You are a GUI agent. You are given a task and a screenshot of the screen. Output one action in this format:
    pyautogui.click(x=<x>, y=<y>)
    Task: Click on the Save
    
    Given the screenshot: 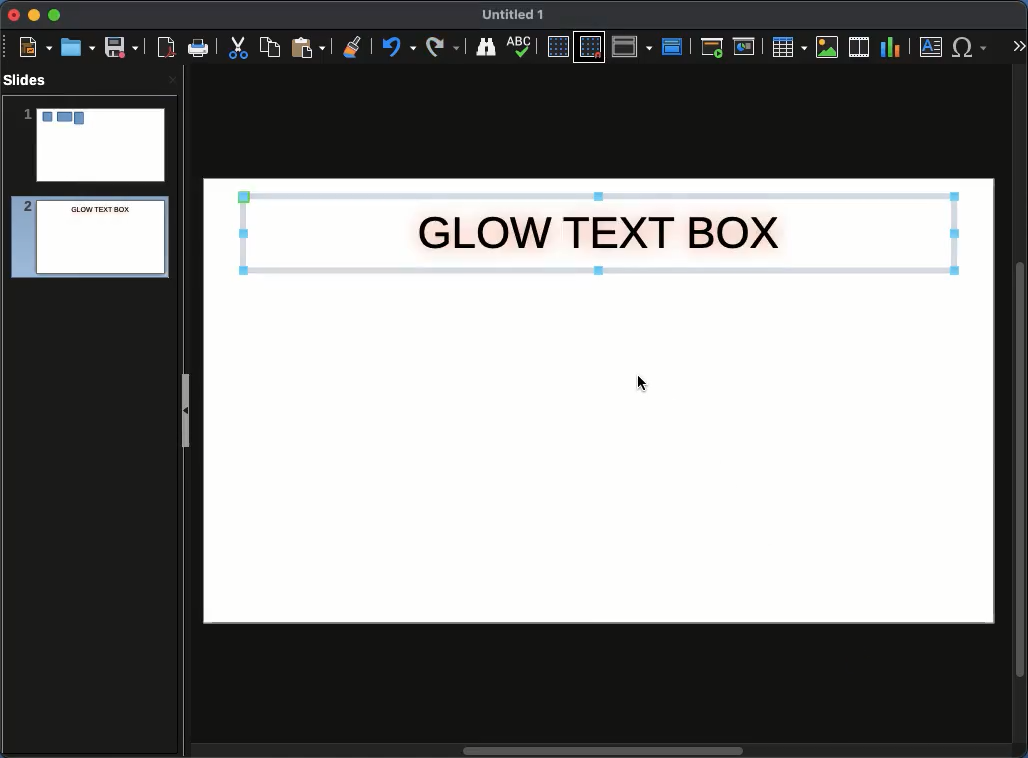 What is the action you would take?
    pyautogui.click(x=123, y=46)
    